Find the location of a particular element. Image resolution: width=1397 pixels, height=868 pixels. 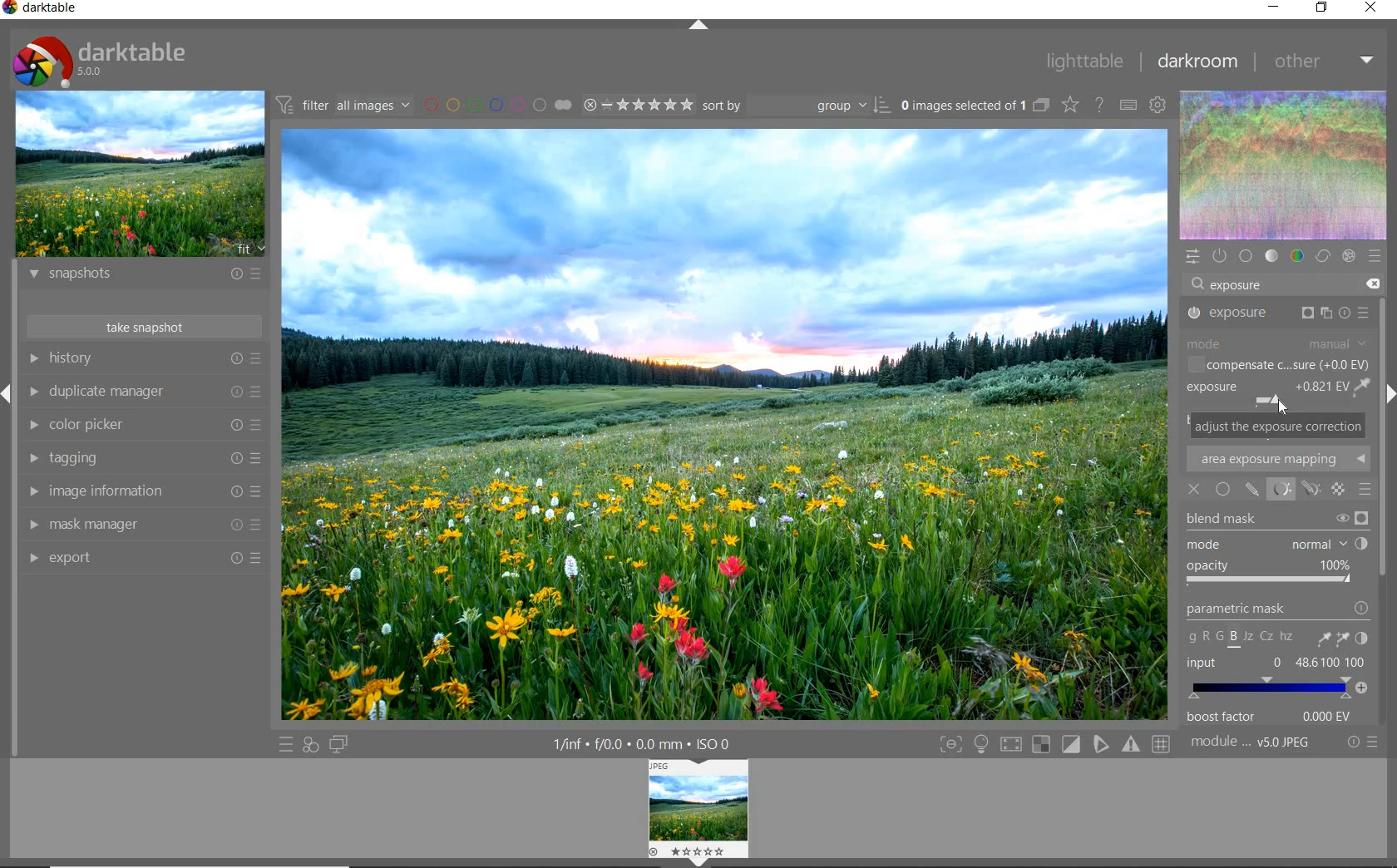

exposure is located at coordinates (1242, 285).